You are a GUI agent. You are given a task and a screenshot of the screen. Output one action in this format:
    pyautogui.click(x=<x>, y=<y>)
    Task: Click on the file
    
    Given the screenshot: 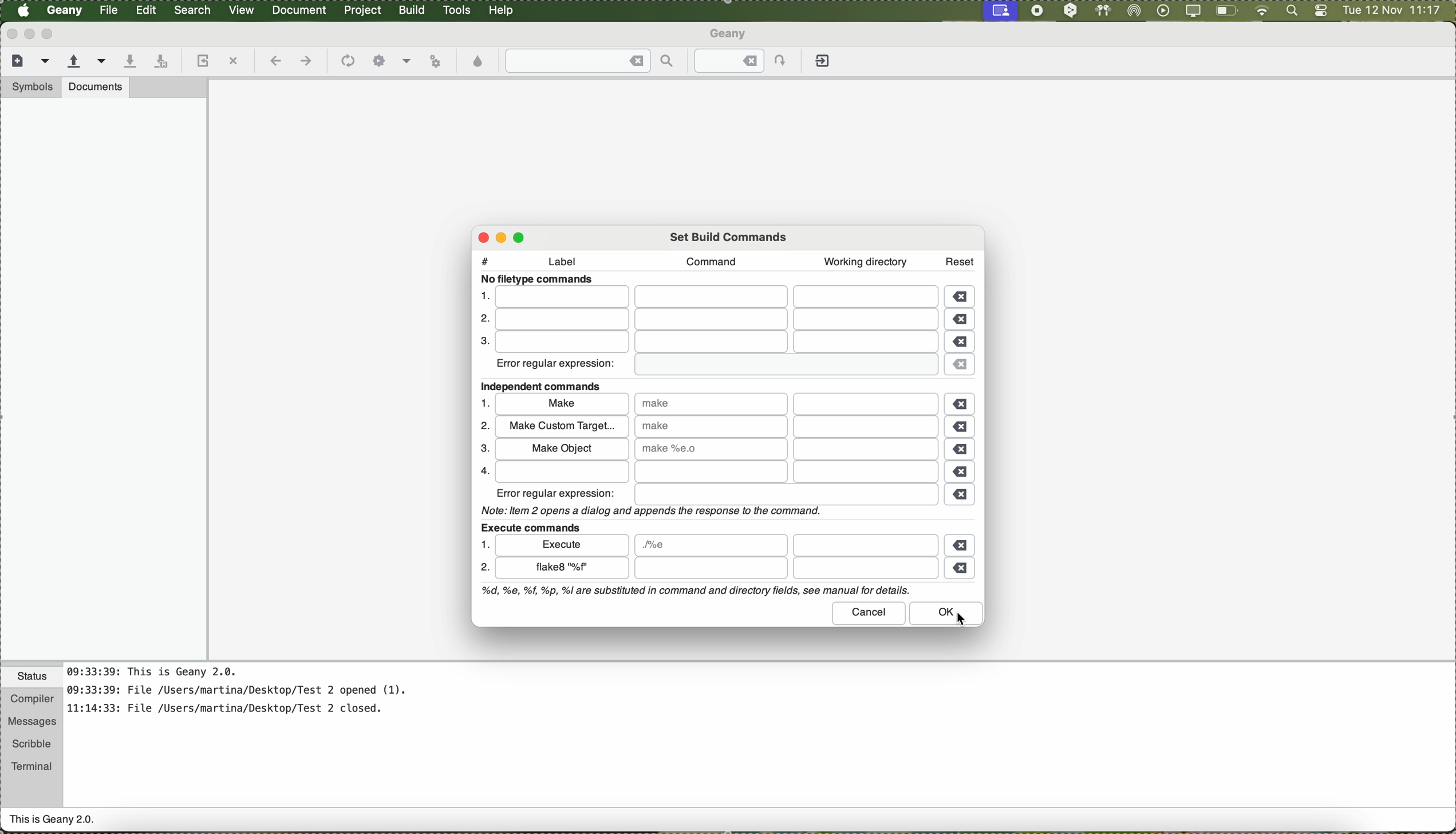 What is the action you would take?
    pyautogui.click(x=866, y=427)
    